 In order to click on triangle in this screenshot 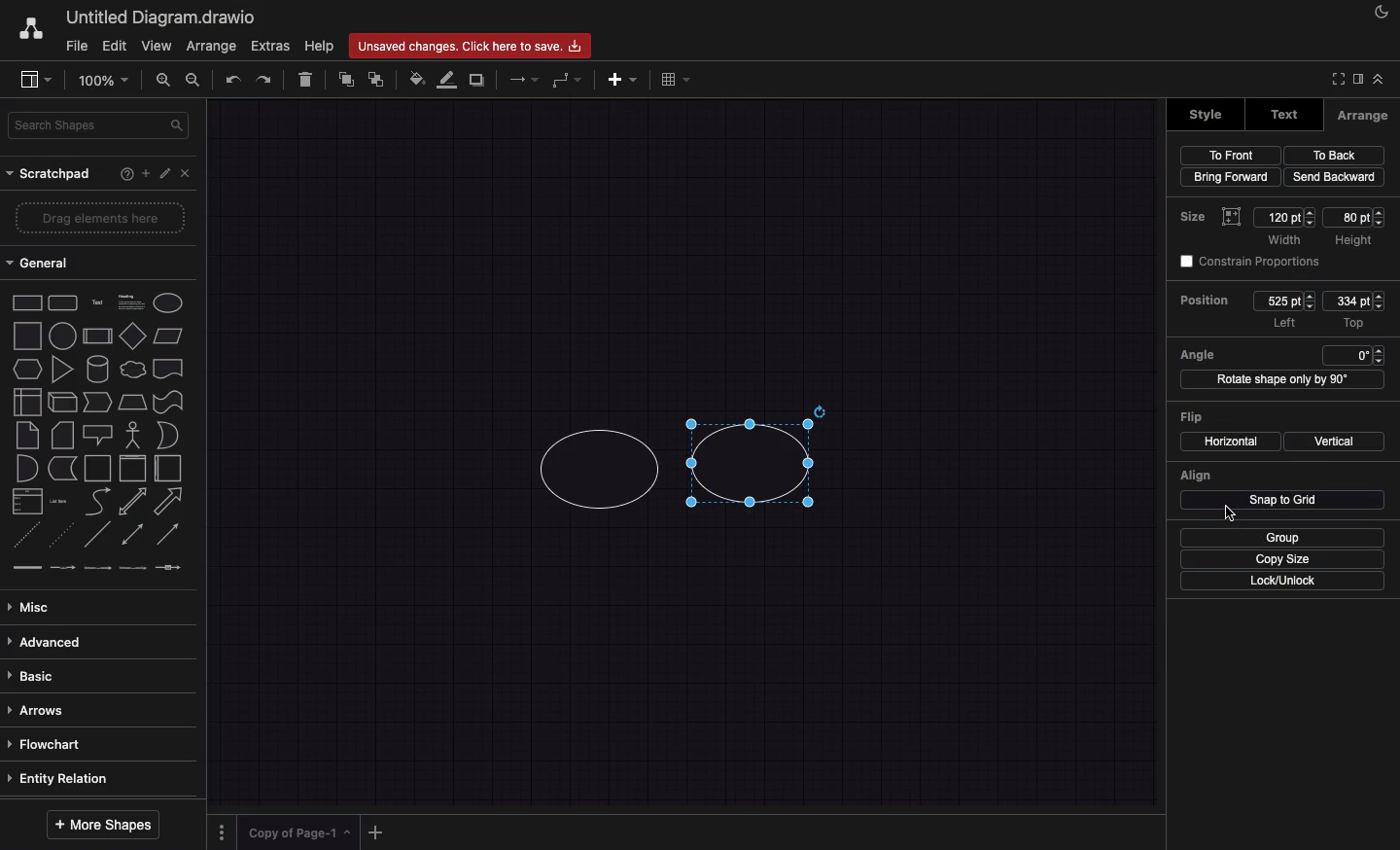, I will do `click(62, 370)`.